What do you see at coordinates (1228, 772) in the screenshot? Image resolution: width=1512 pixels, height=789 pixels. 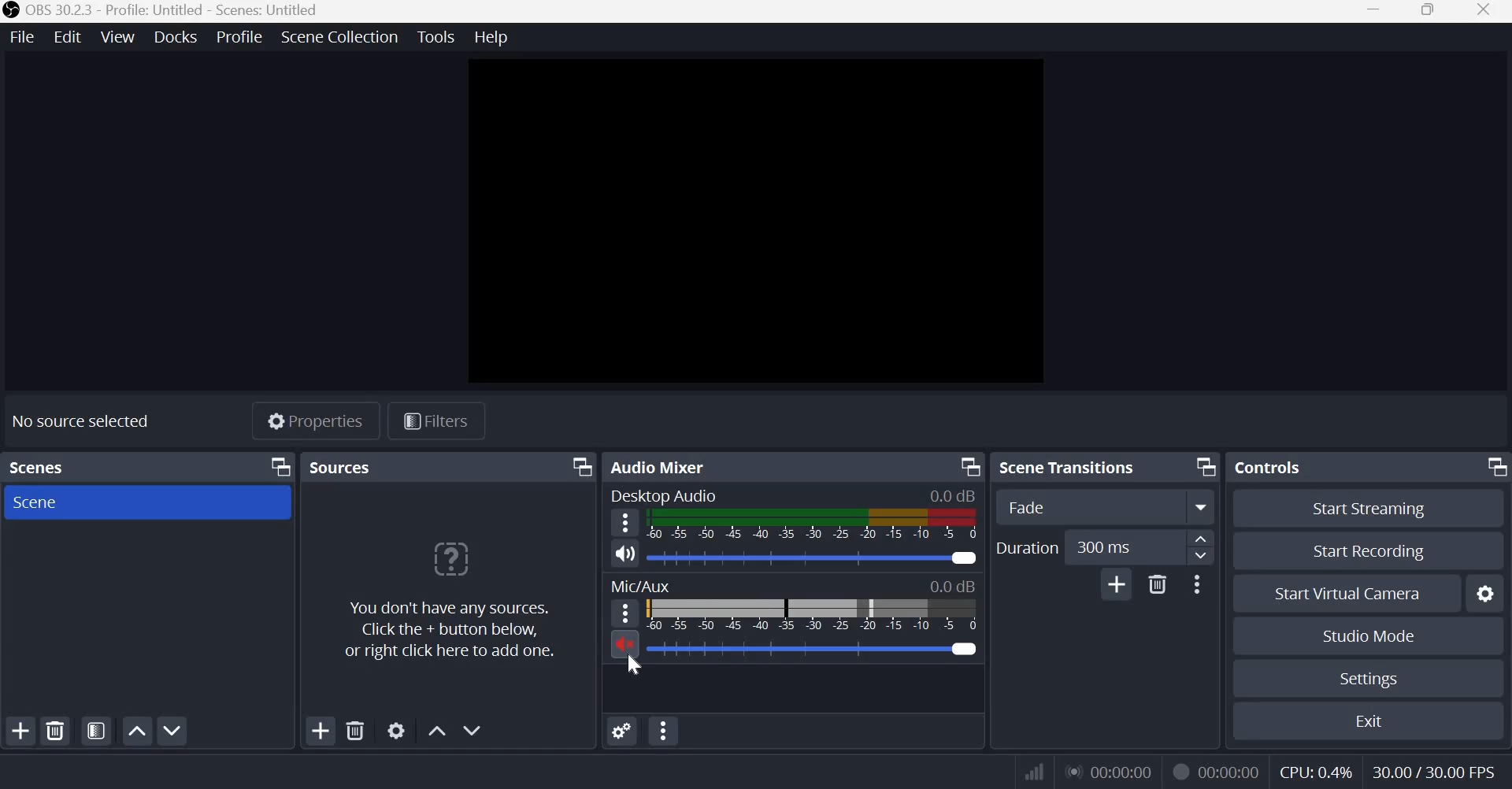 I see `00:00:00` at bounding box center [1228, 772].